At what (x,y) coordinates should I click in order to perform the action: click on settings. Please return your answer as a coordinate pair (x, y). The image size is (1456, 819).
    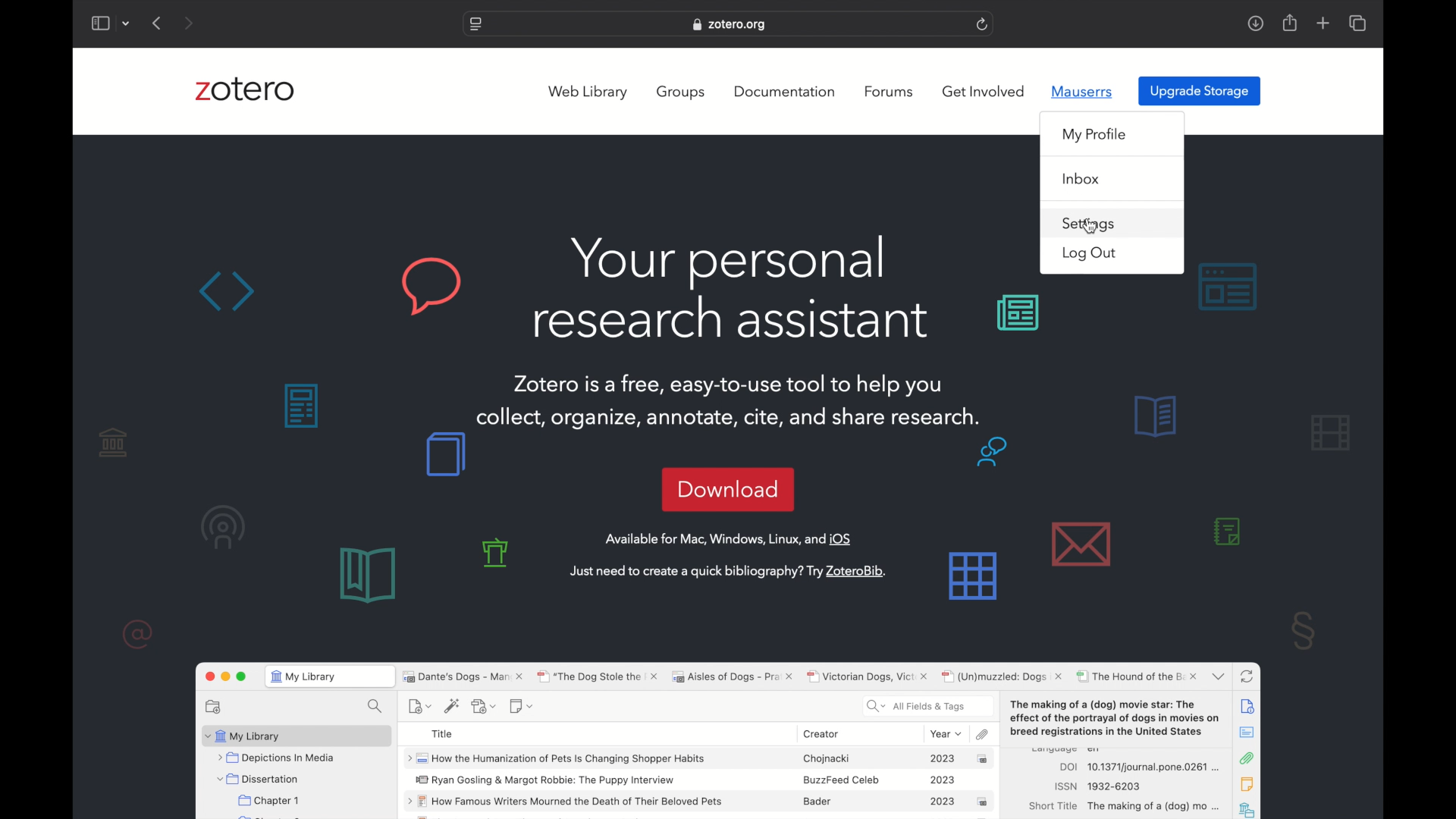
    Looking at the image, I should click on (1089, 224).